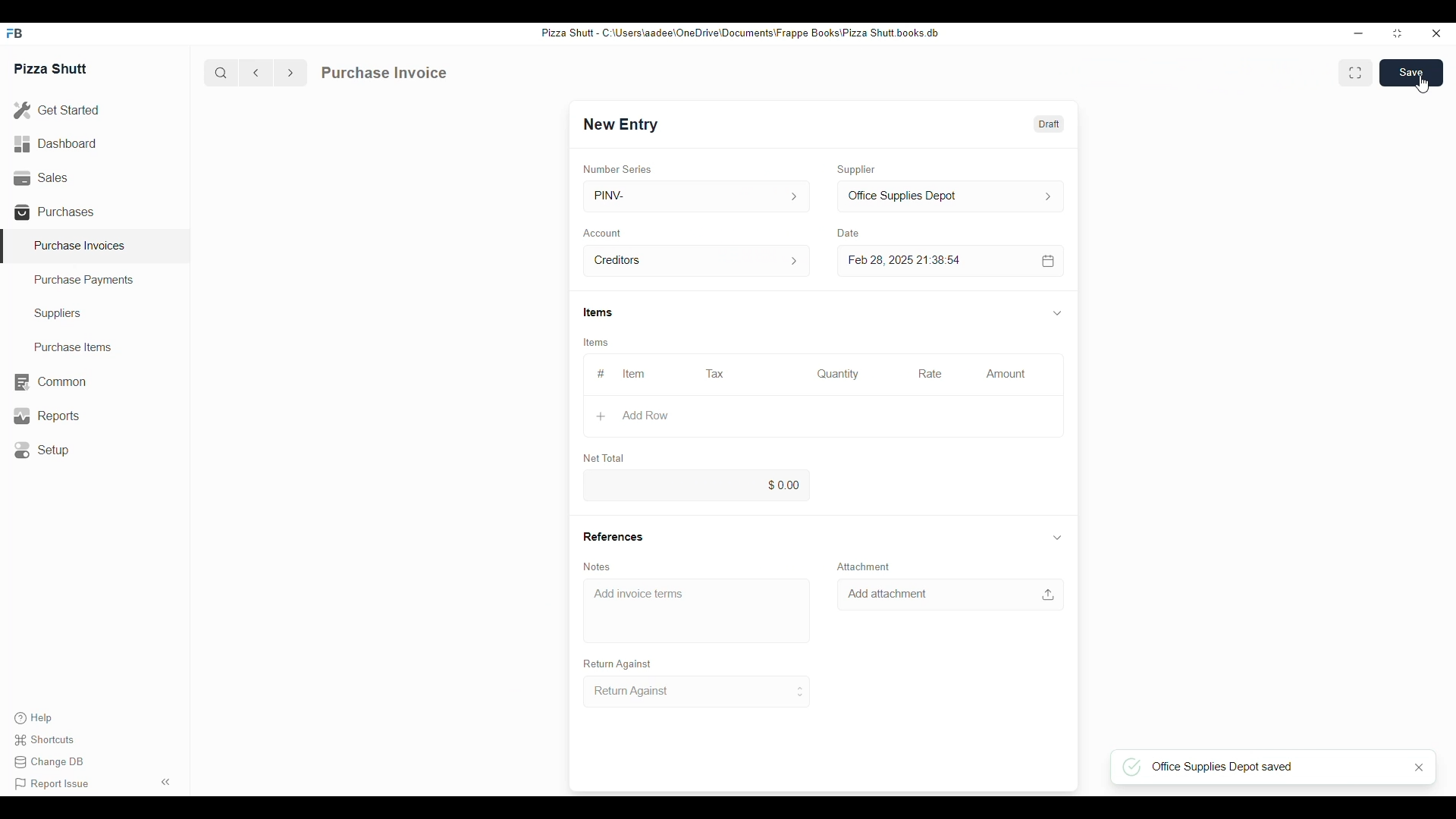 The image size is (1456, 819). I want to click on Shortcuts, so click(48, 740).